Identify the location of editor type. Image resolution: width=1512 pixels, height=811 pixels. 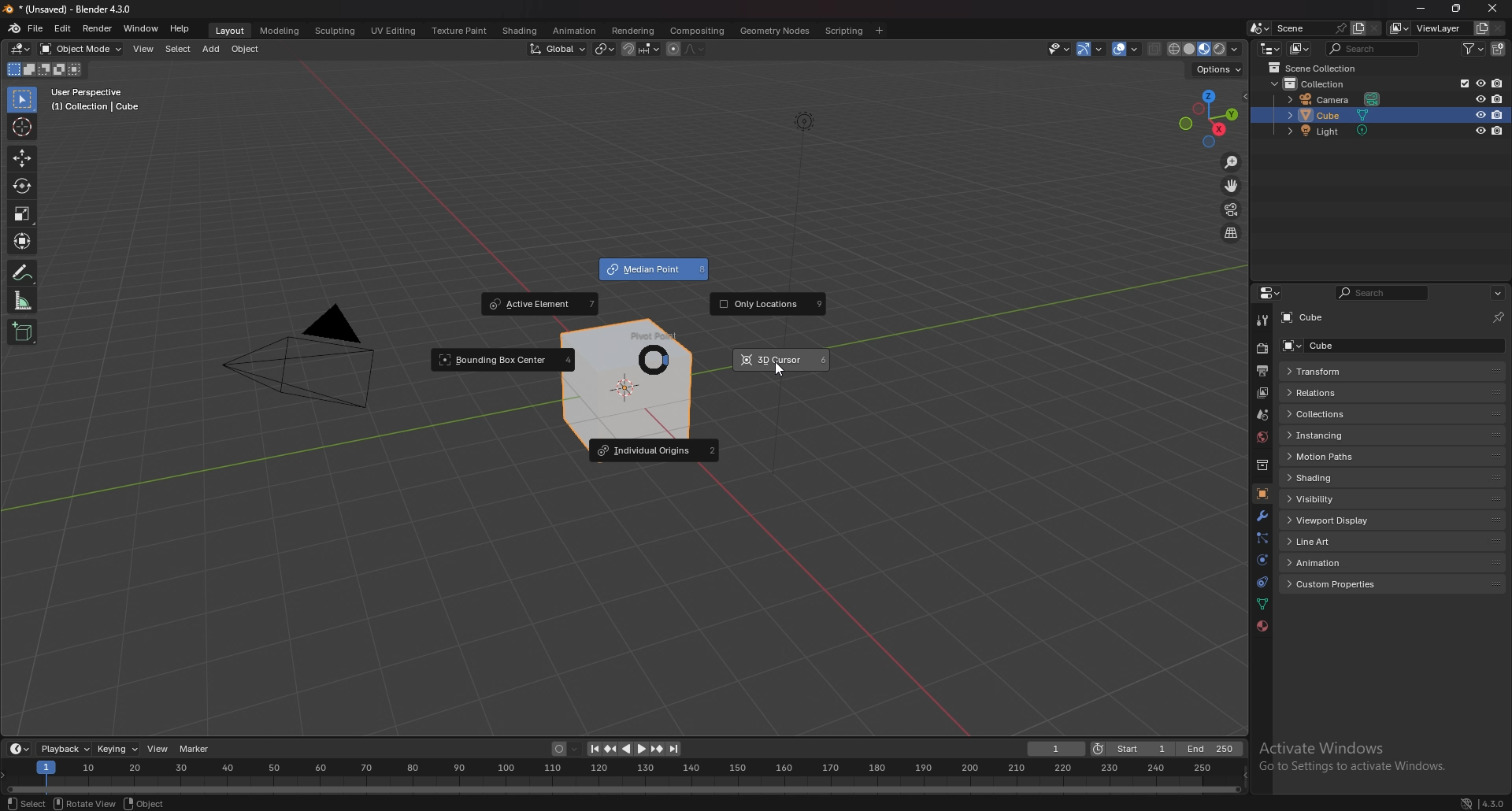
(20, 750).